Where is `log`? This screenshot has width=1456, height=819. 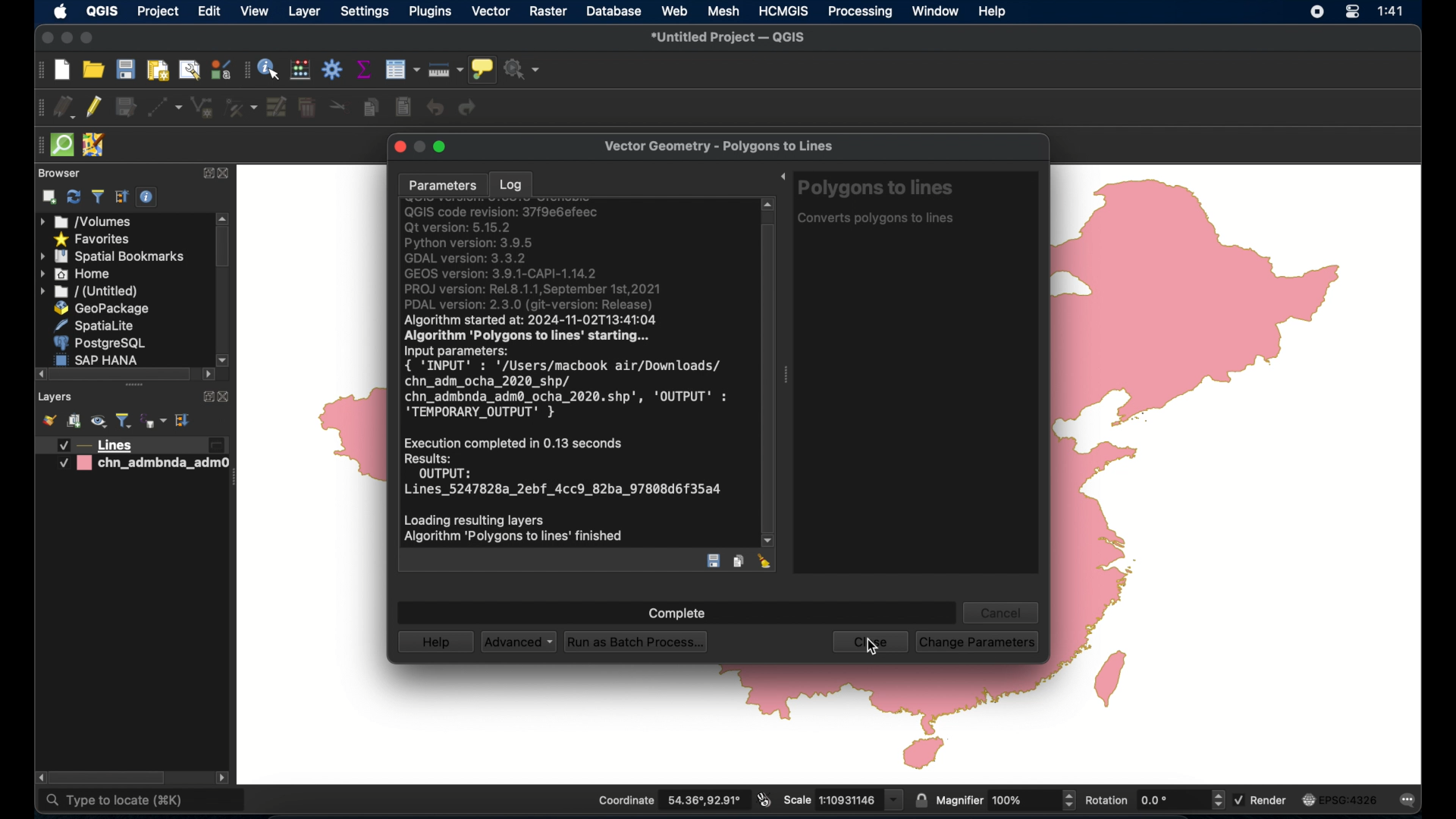
log is located at coordinates (511, 184).